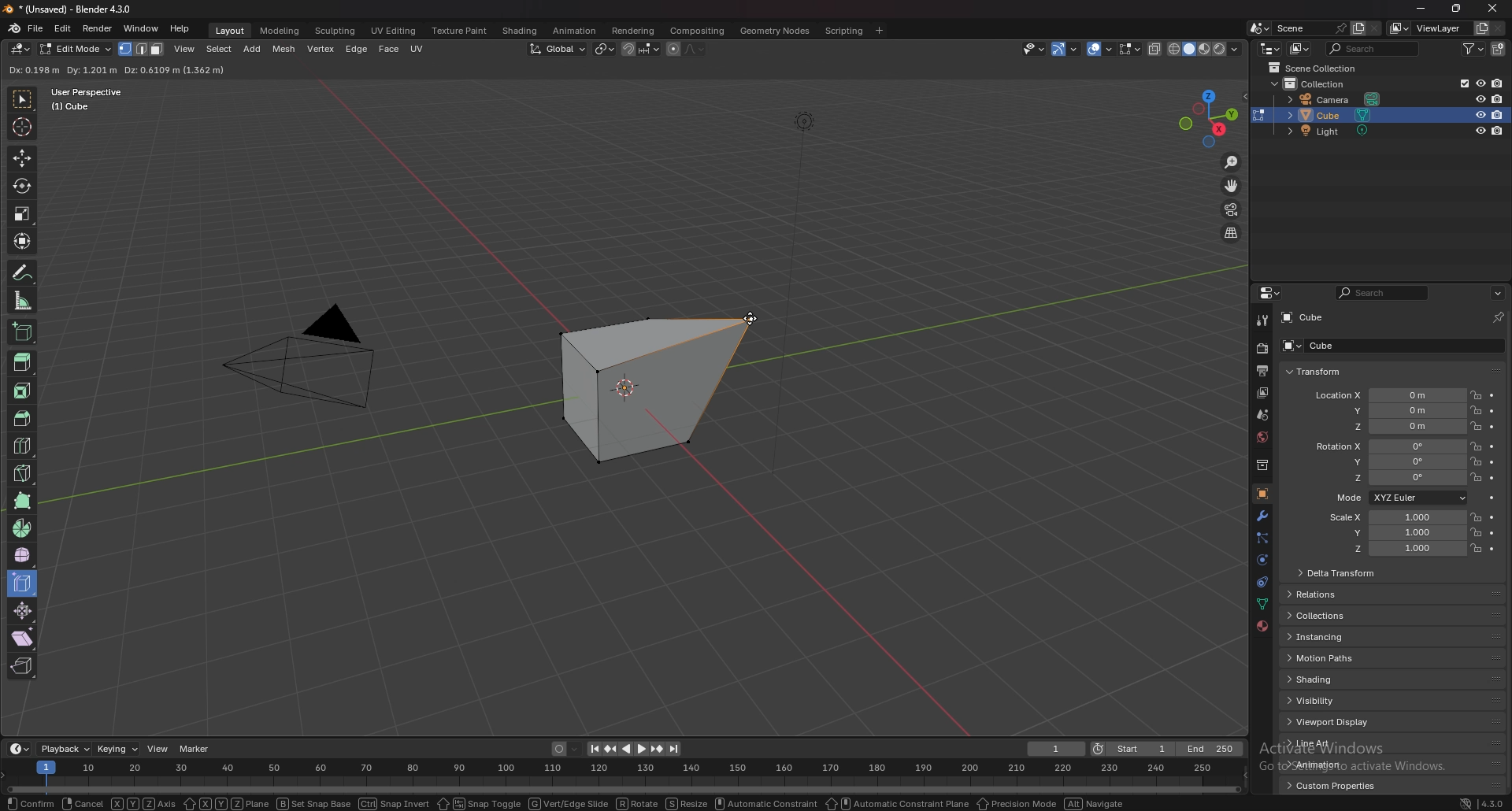 Image resolution: width=1512 pixels, height=811 pixels. What do you see at coordinates (674, 50) in the screenshot?
I see `proportional editing object` at bounding box center [674, 50].